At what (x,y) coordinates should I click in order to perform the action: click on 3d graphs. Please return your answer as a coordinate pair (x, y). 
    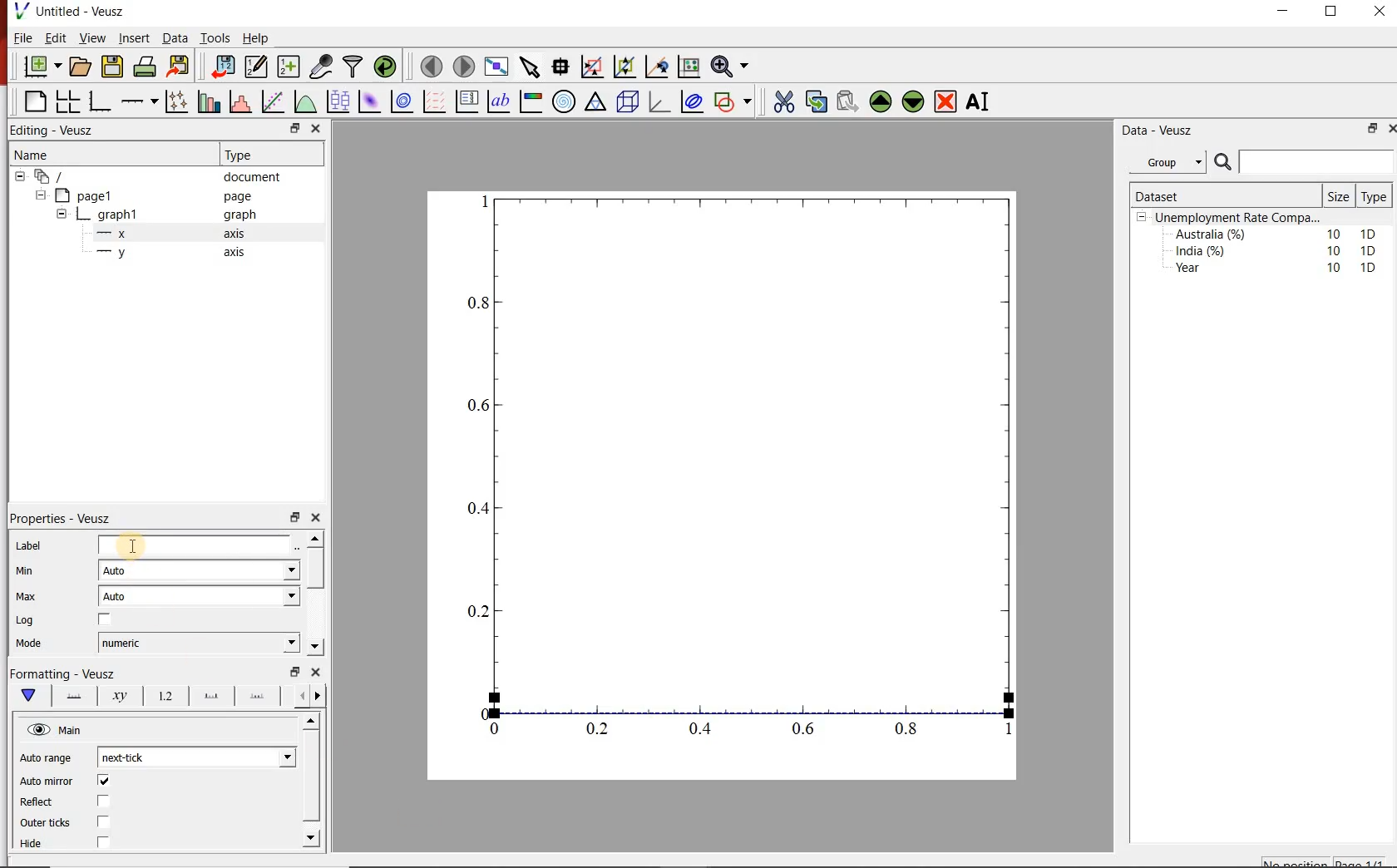
    Looking at the image, I should click on (659, 101).